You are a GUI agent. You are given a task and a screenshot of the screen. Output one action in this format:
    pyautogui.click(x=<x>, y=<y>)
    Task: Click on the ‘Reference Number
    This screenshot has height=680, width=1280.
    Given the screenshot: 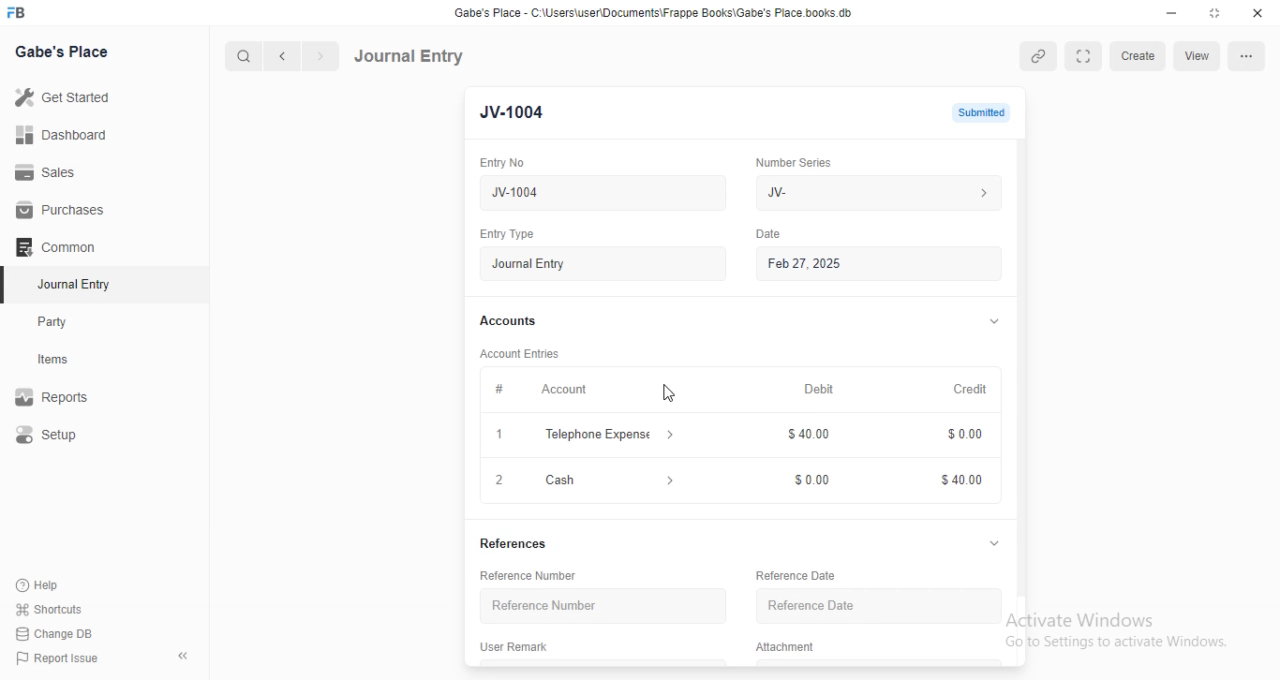 What is the action you would take?
    pyautogui.click(x=544, y=605)
    